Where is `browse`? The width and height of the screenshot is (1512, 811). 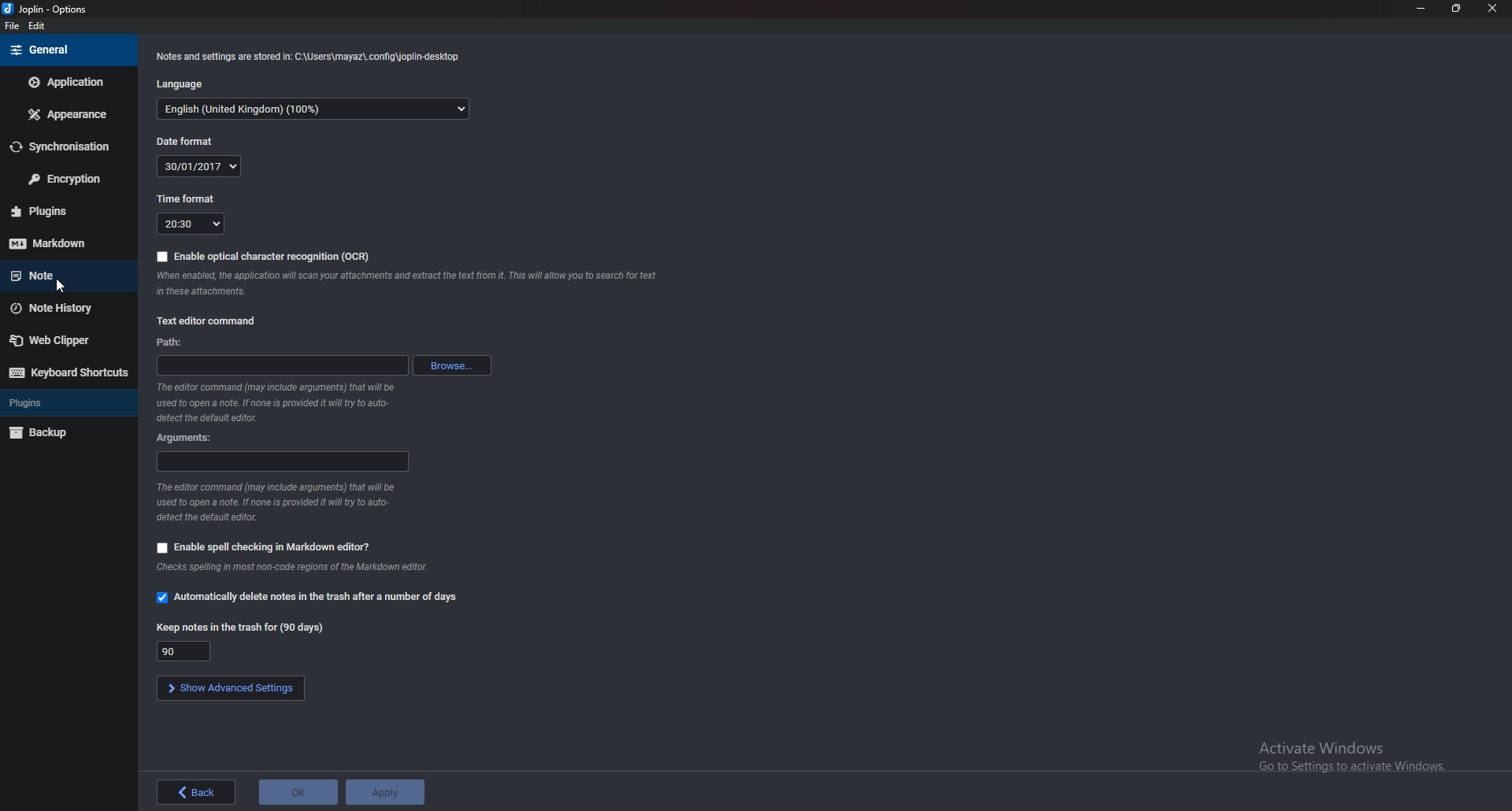
browse is located at coordinates (456, 365).